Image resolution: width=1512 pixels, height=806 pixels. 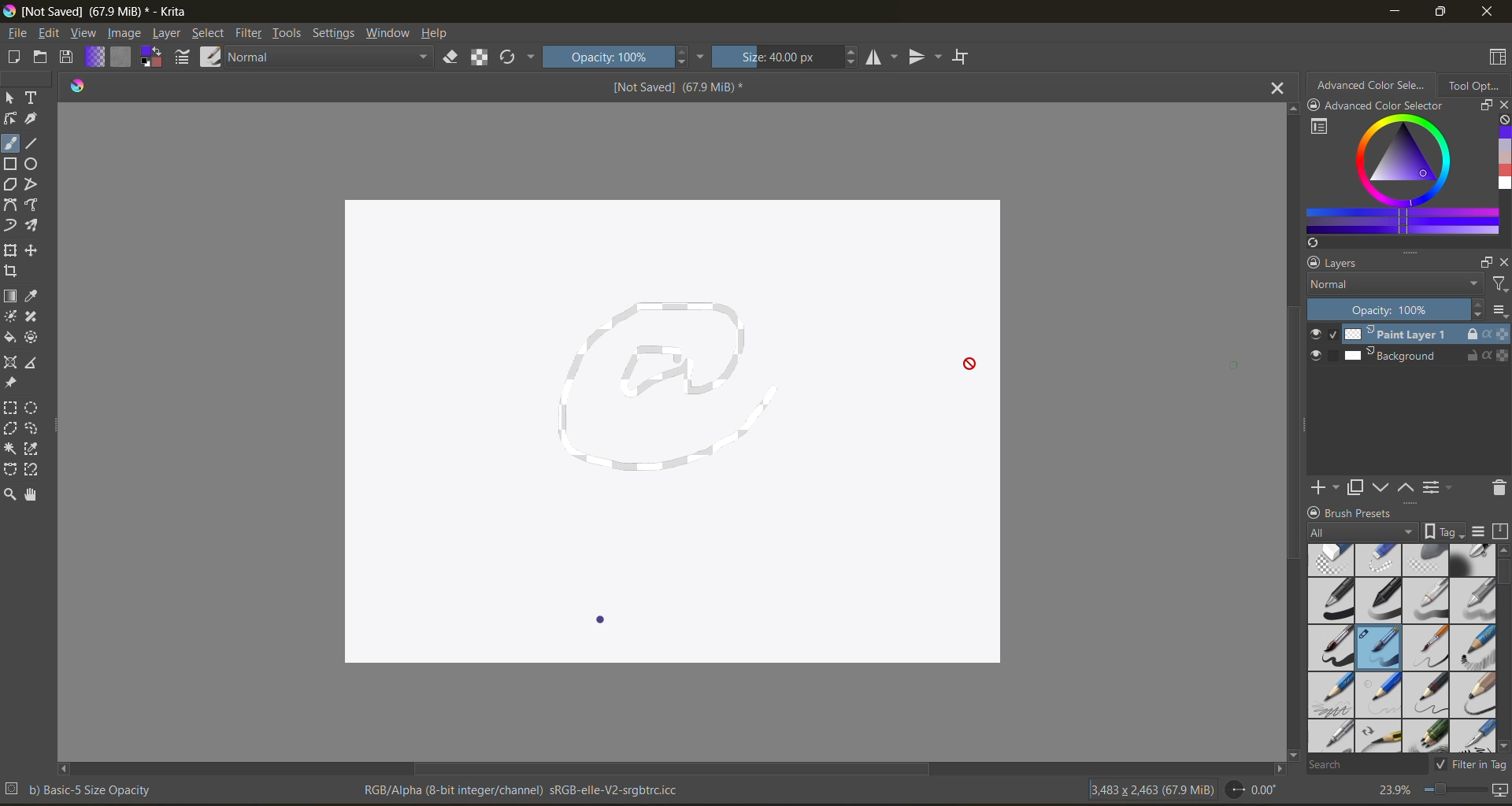 What do you see at coordinates (1425, 560) in the screenshot?
I see `soft eraser` at bounding box center [1425, 560].